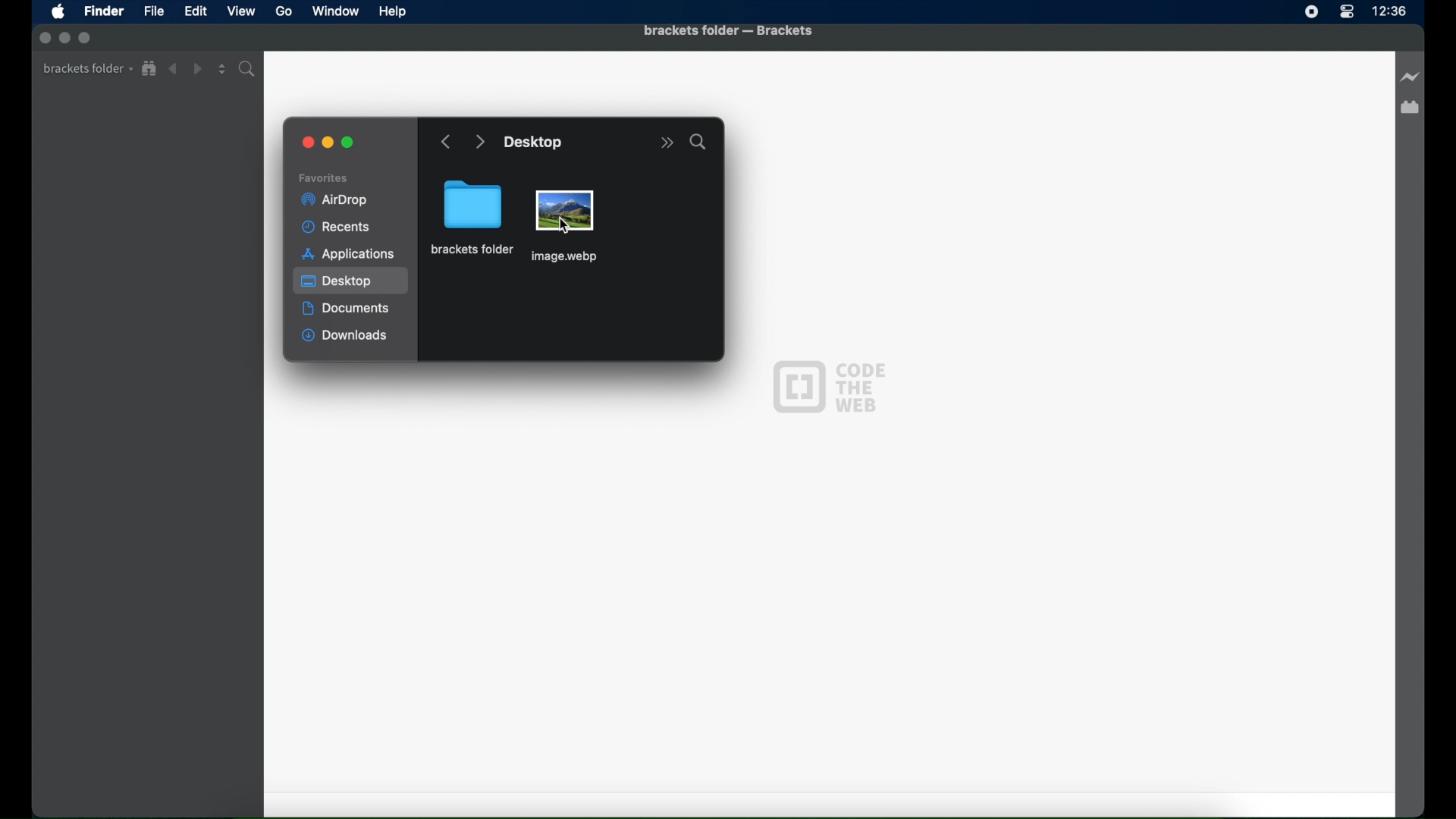 The height and width of the screenshot is (819, 1456). Describe the element at coordinates (309, 143) in the screenshot. I see `close` at that location.